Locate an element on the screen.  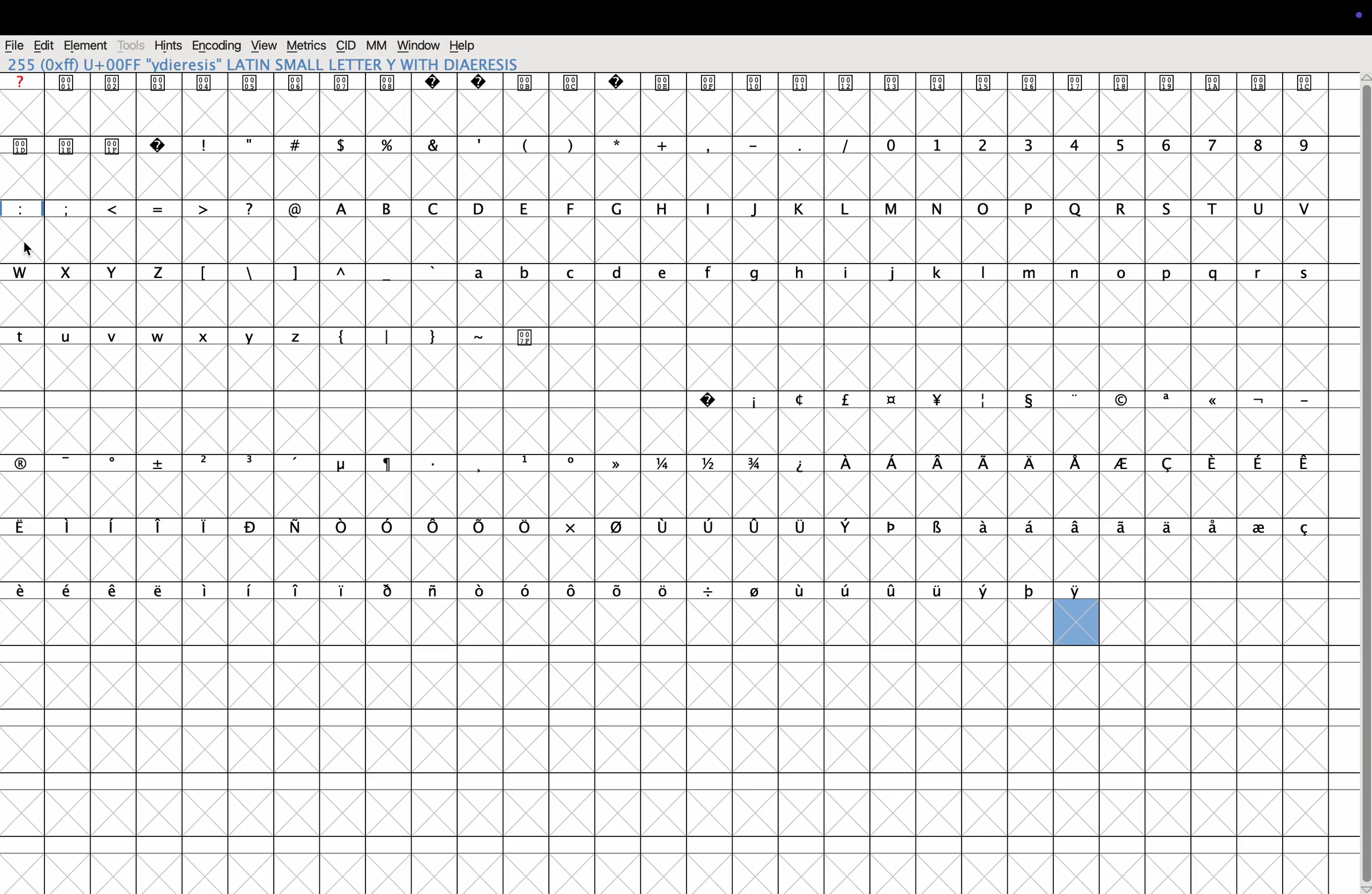
Special characters is located at coordinates (91, 166).